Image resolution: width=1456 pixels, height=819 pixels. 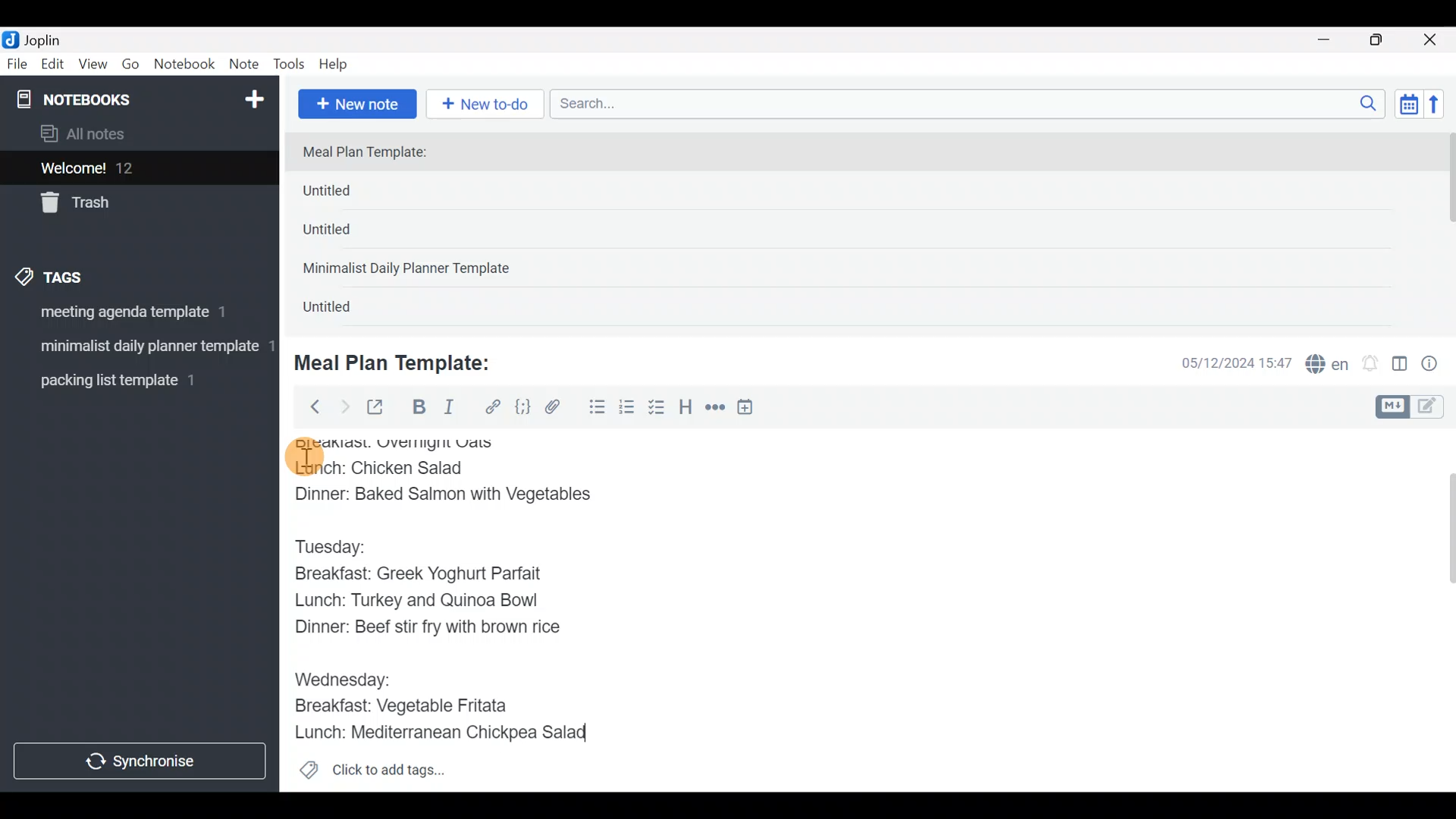 What do you see at coordinates (344, 310) in the screenshot?
I see `Untitled` at bounding box center [344, 310].